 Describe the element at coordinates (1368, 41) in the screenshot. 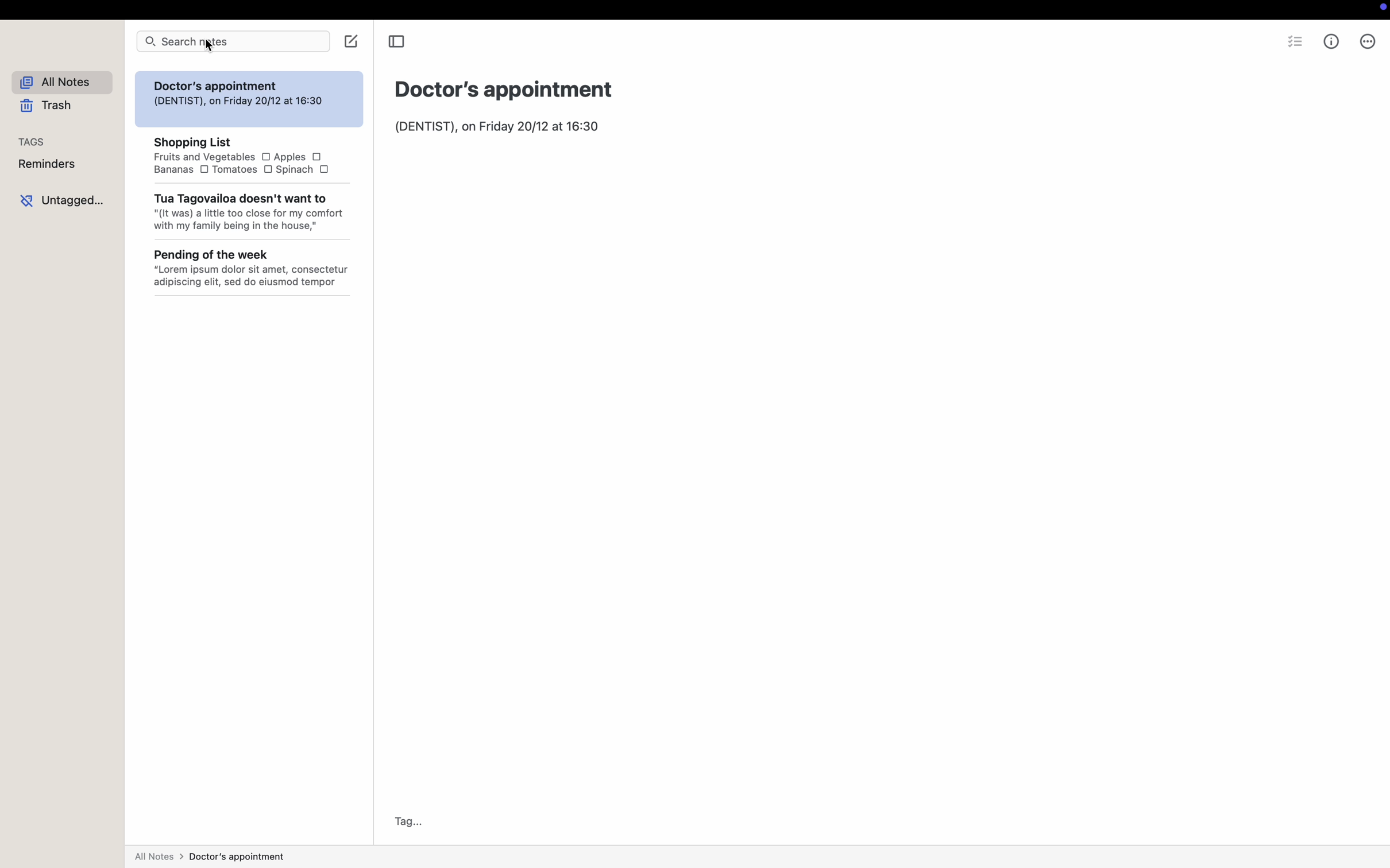

I see `more options` at that location.